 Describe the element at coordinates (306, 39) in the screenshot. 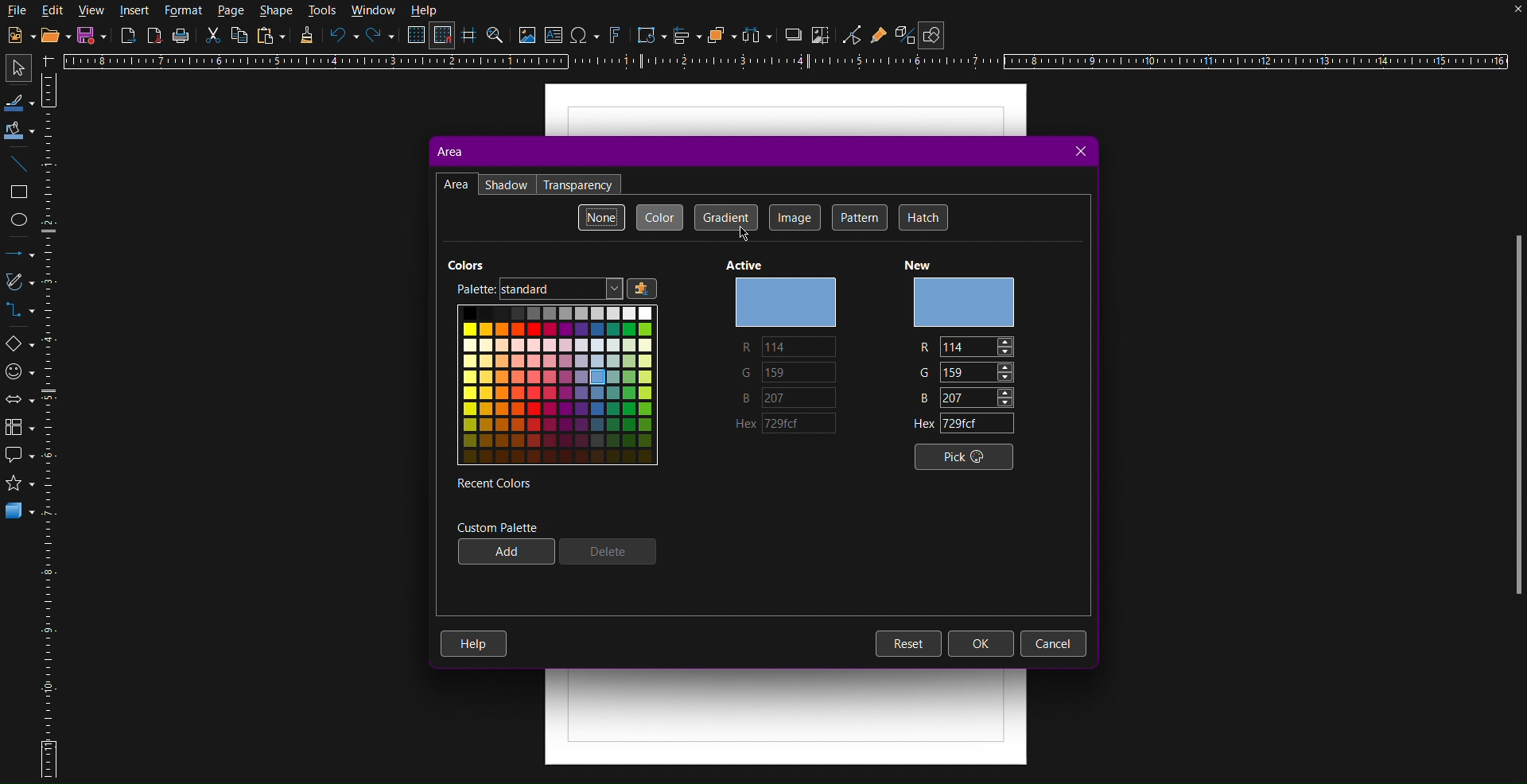

I see `Formatting` at that location.